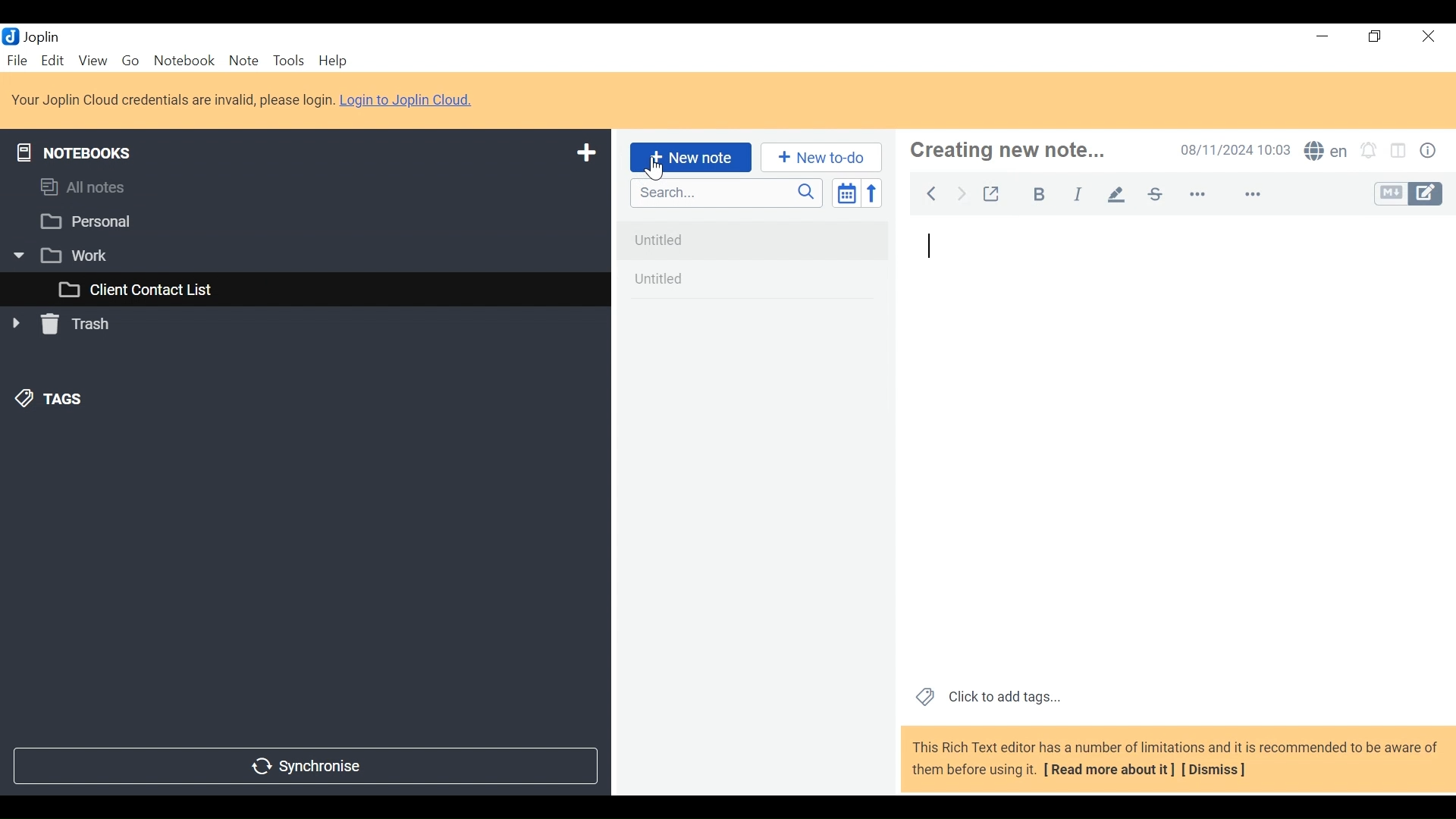 The width and height of the screenshot is (1456, 819). What do you see at coordinates (1078, 194) in the screenshot?
I see `Italics` at bounding box center [1078, 194].